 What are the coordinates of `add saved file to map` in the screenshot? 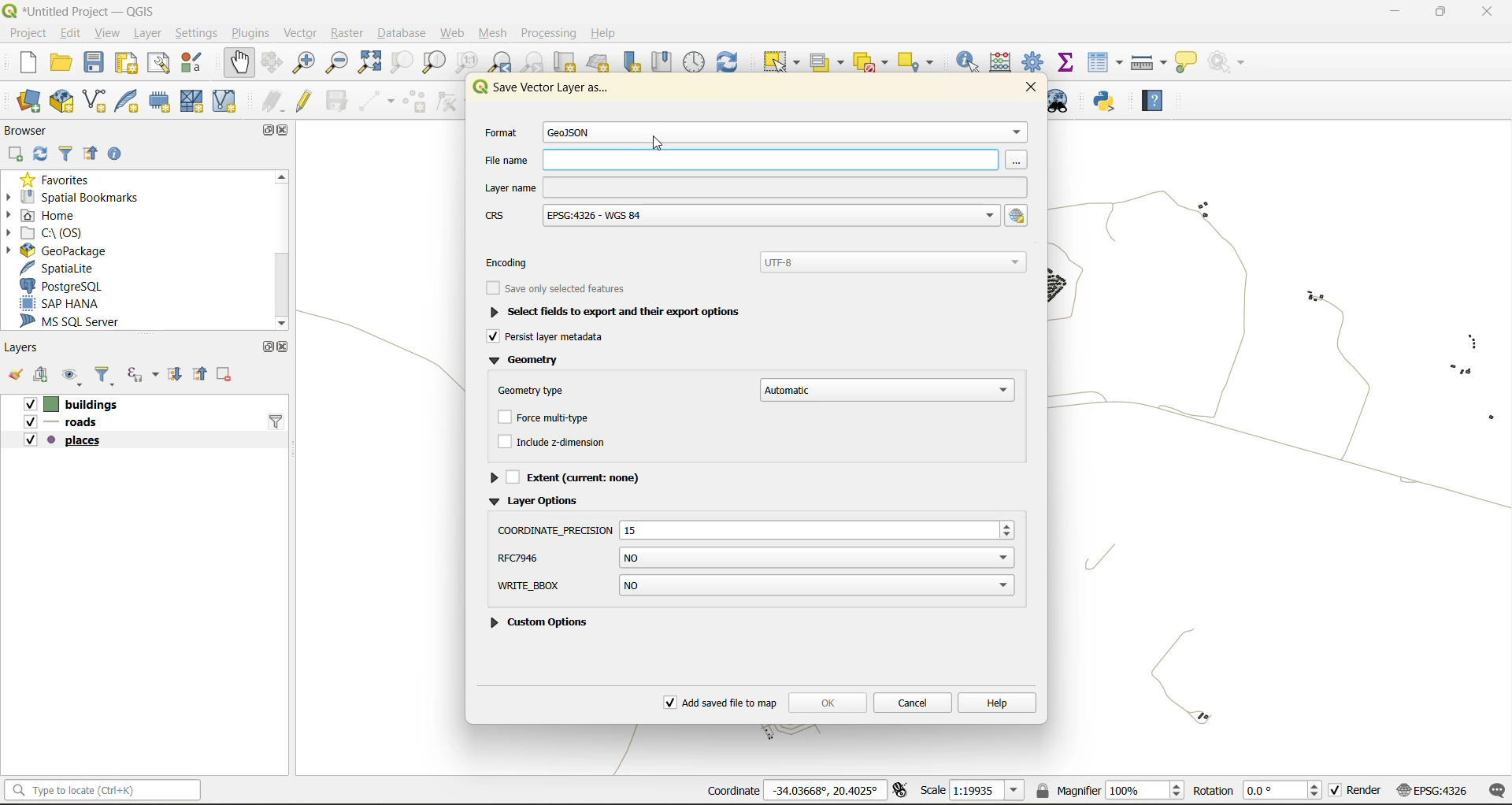 It's located at (717, 699).